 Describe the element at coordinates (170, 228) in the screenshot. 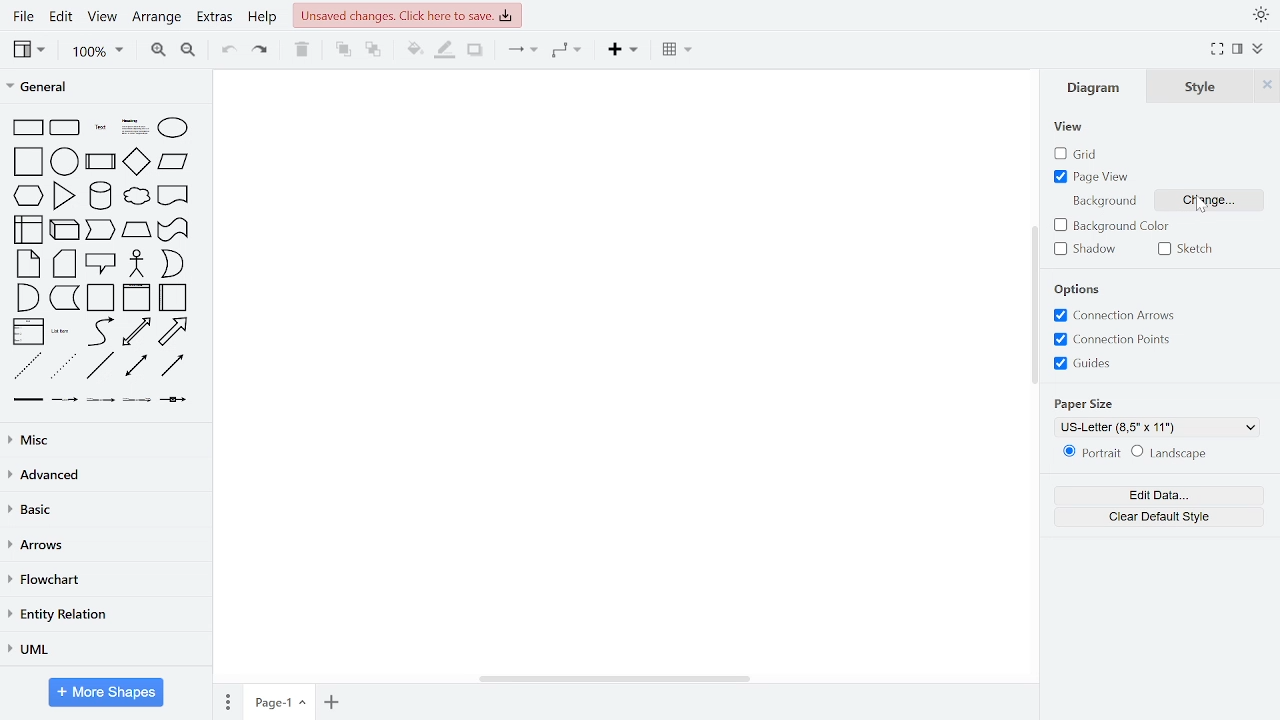

I see `general shapes` at that location.